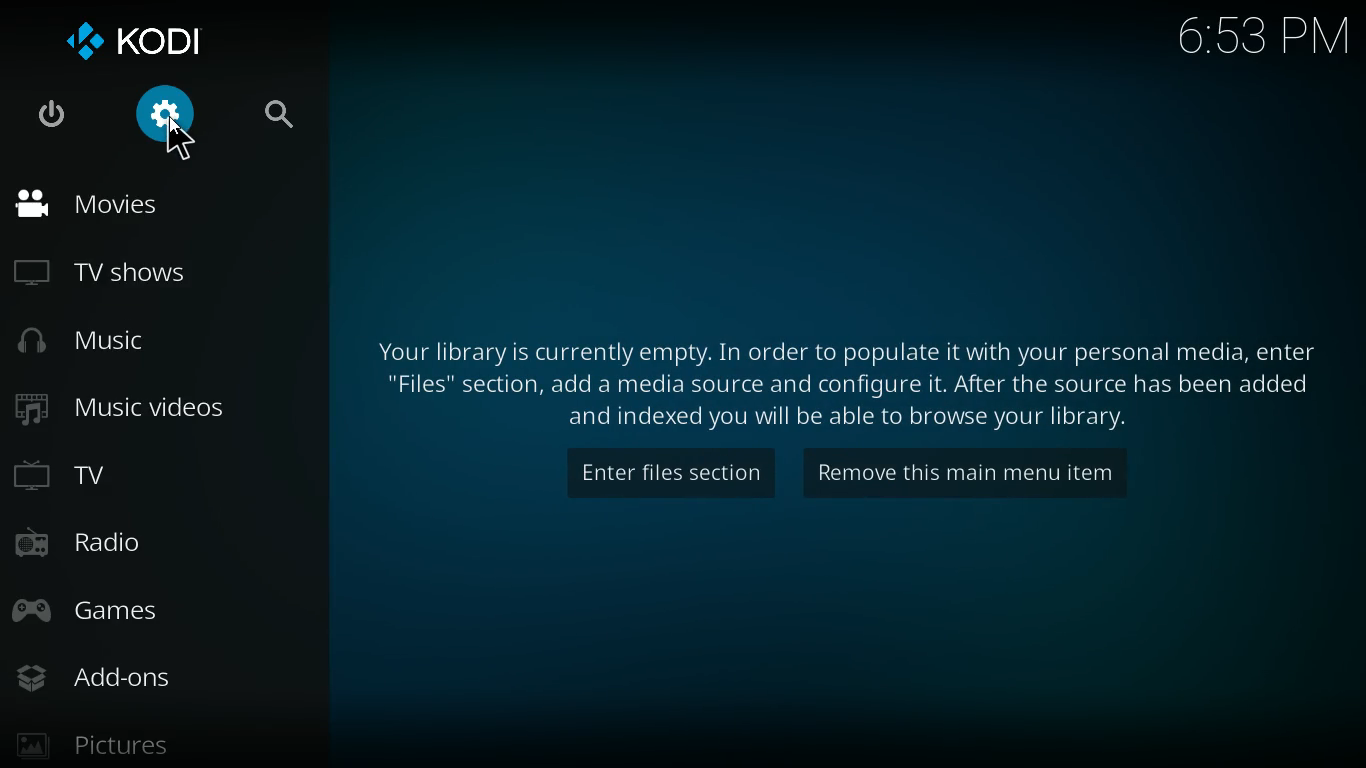 This screenshot has width=1366, height=768. Describe the element at coordinates (121, 275) in the screenshot. I see `tv shows` at that location.